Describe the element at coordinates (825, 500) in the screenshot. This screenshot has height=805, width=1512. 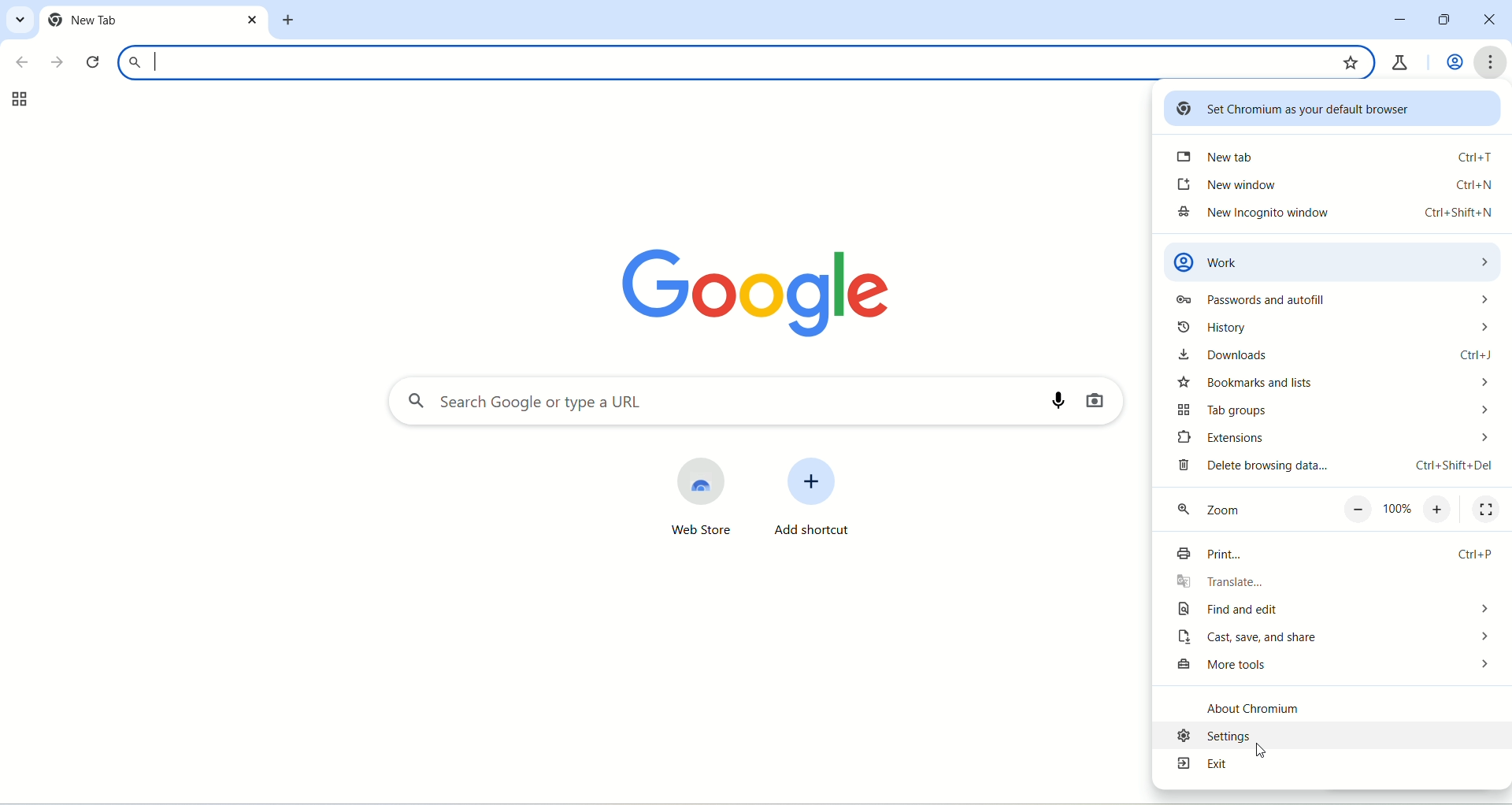
I see `add shortcut` at that location.